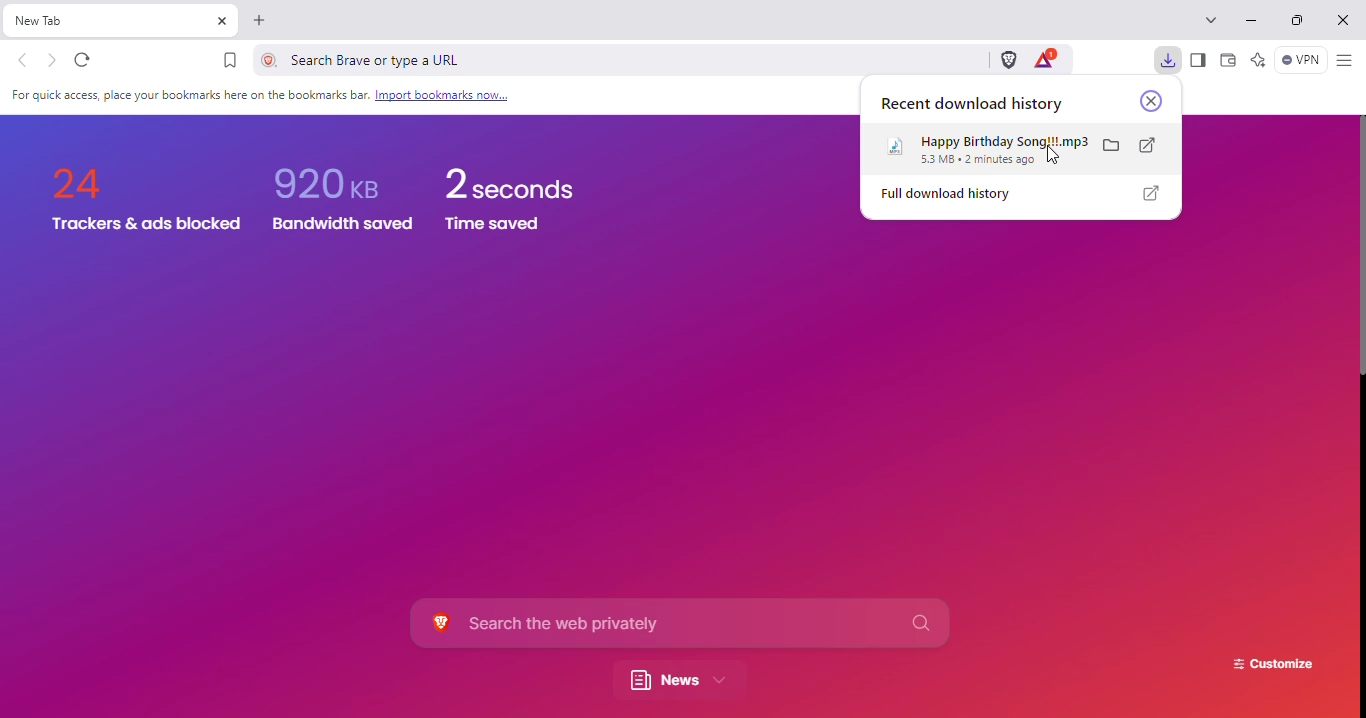  I want to click on 24 trackers & ads blocked, so click(82, 175).